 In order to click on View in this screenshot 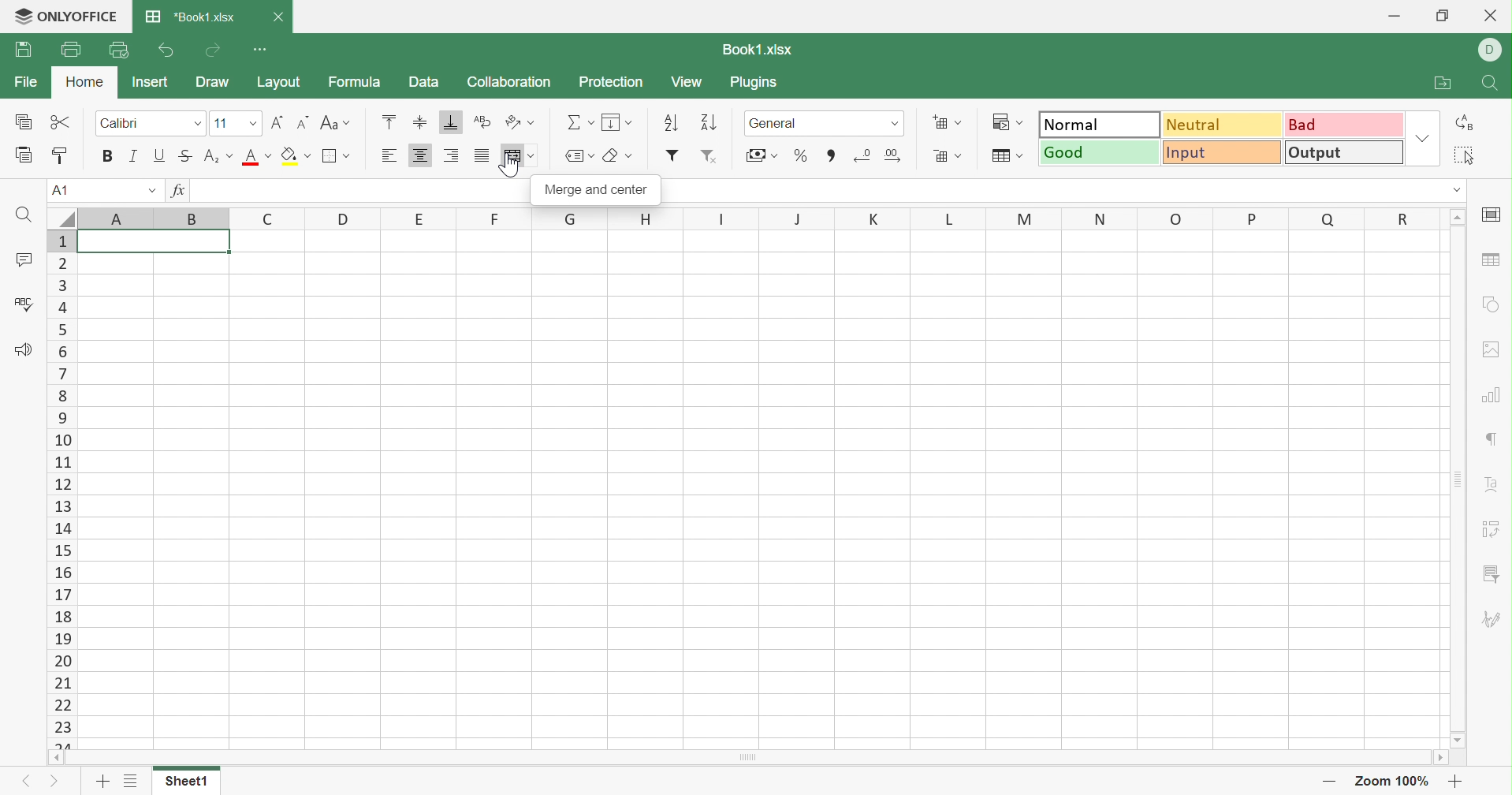, I will do `click(687, 82)`.